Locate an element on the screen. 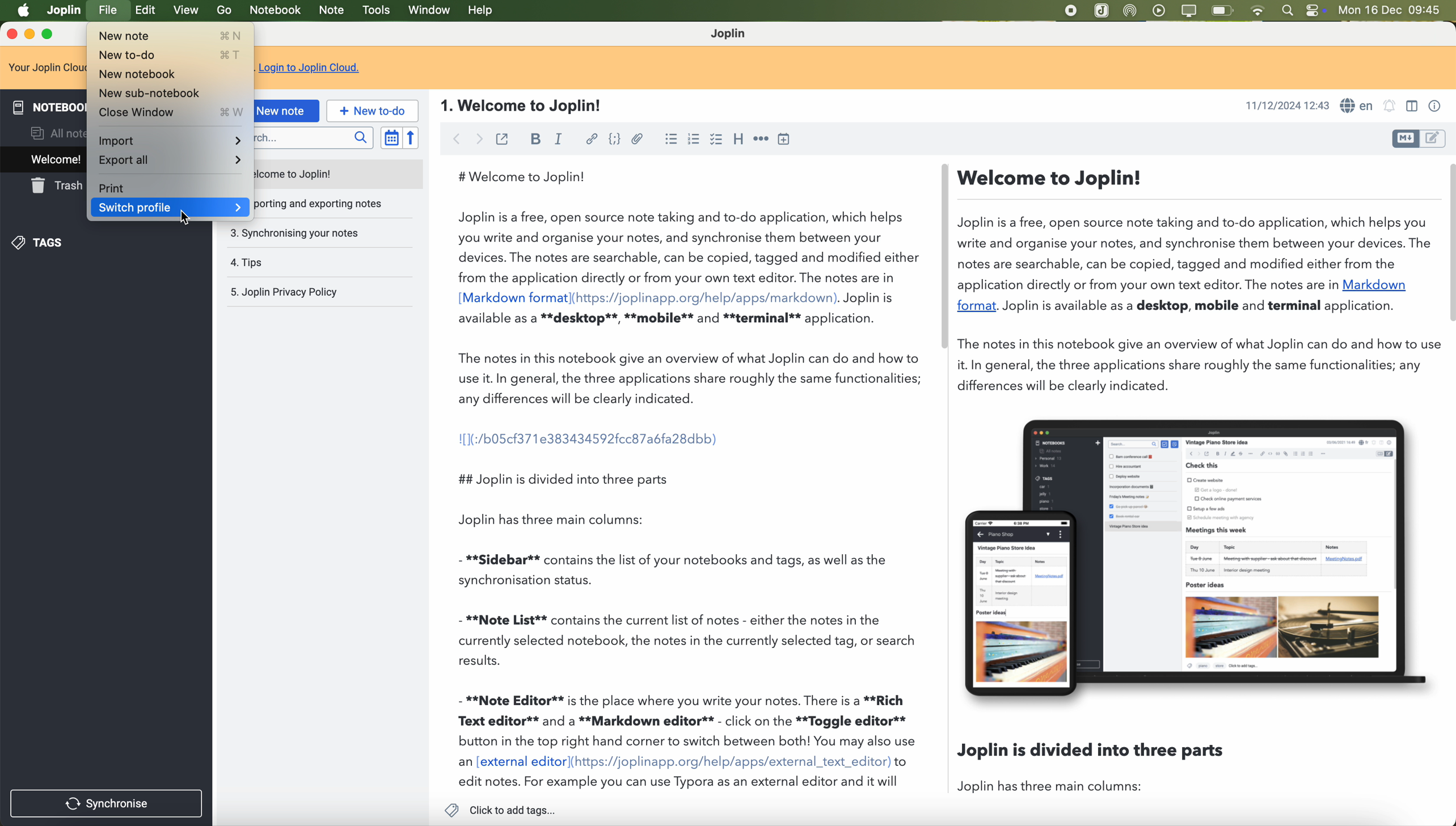 Image resolution: width=1456 pixels, height=826 pixels. ## Joplin is divided into three parts is located at coordinates (563, 478).